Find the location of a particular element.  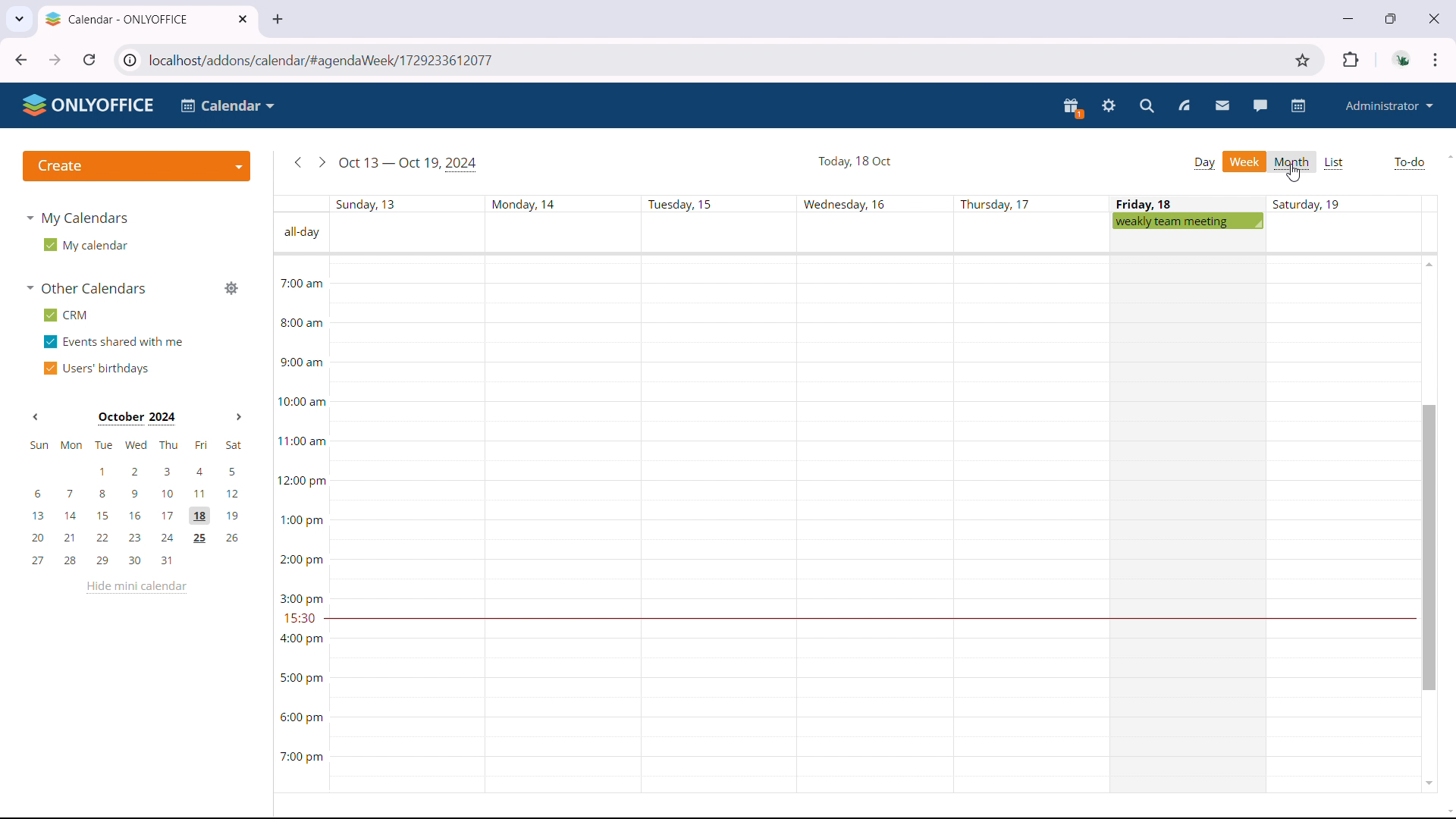

current date is located at coordinates (854, 163).